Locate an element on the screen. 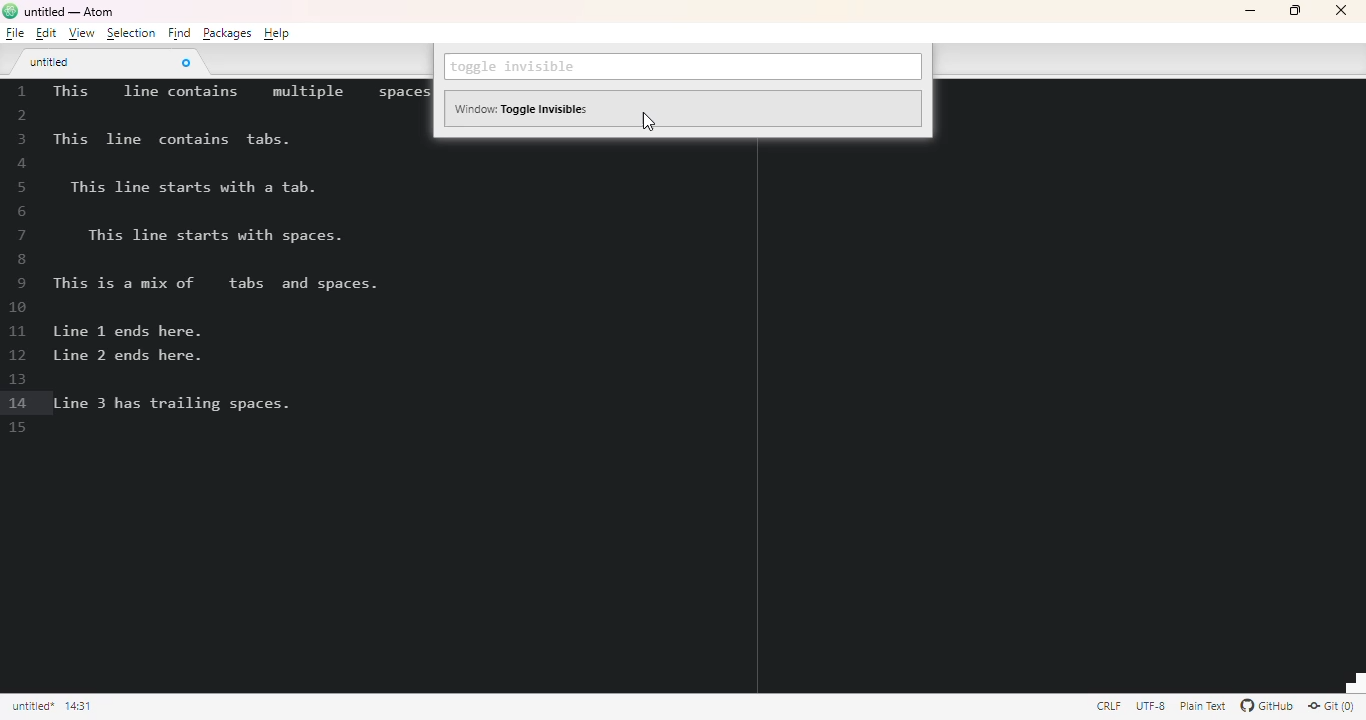  title is located at coordinates (69, 12).